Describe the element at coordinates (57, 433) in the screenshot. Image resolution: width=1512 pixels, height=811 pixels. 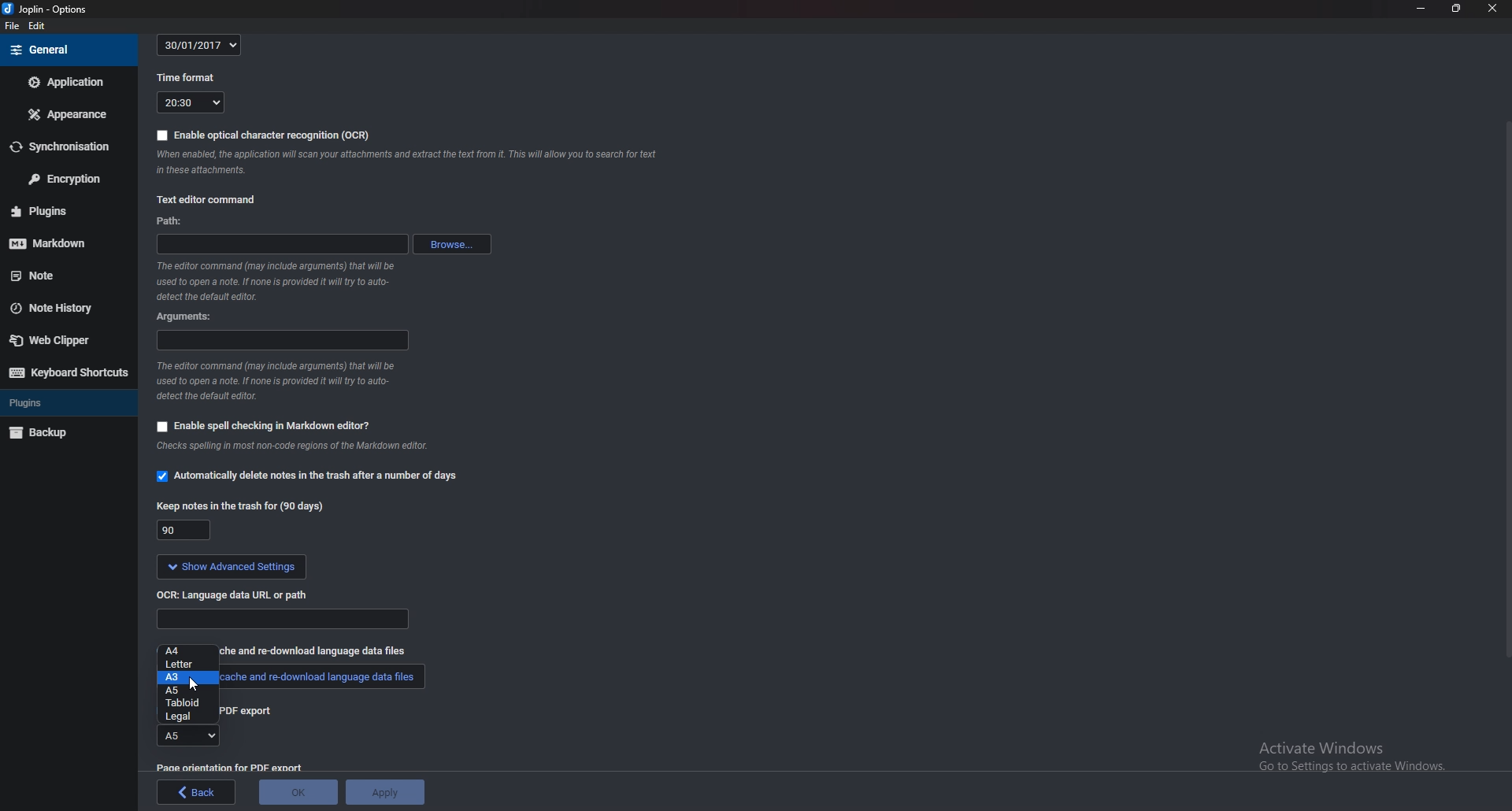
I see `Back up` at that location.